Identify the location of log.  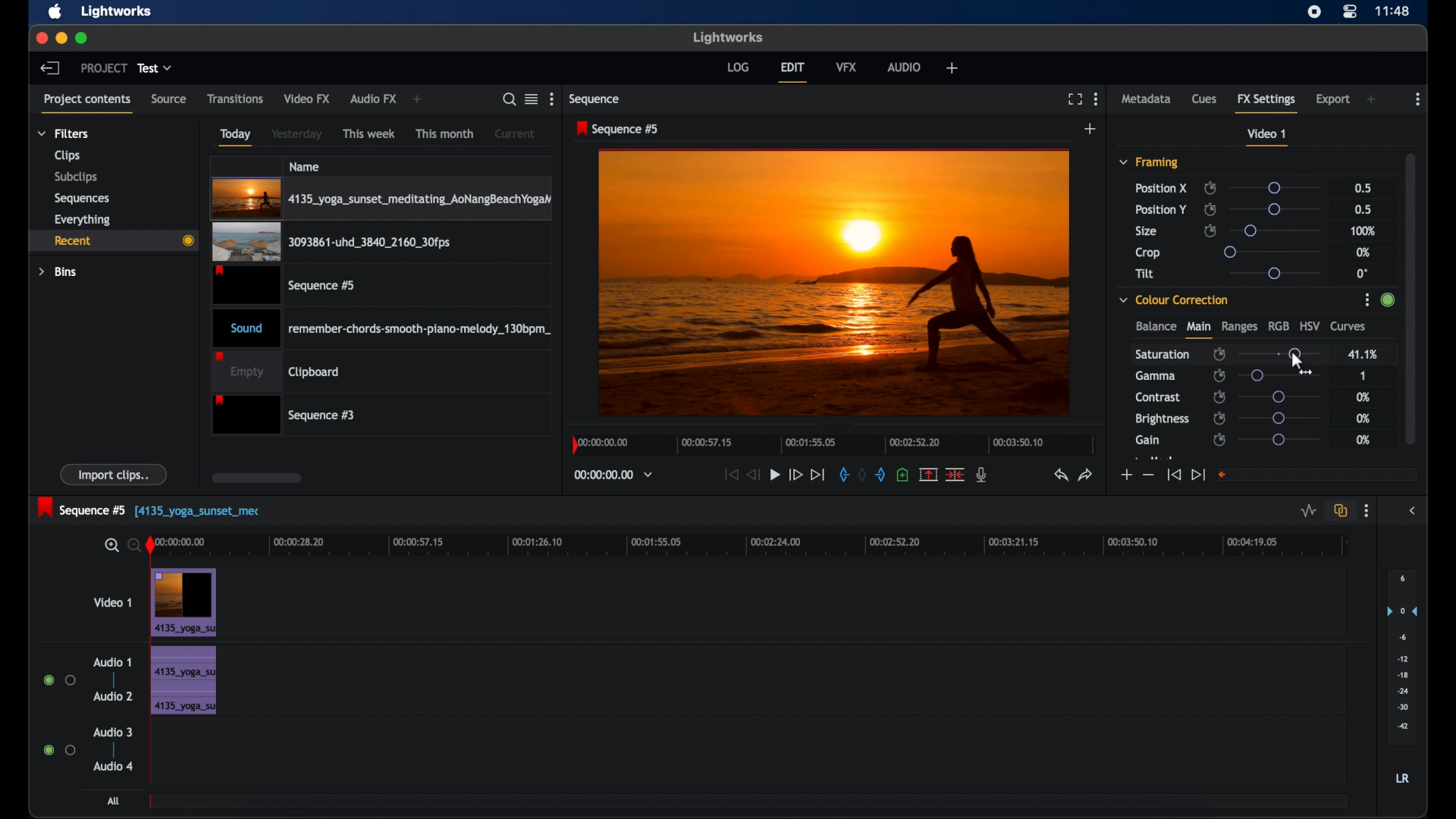
(738, 66).